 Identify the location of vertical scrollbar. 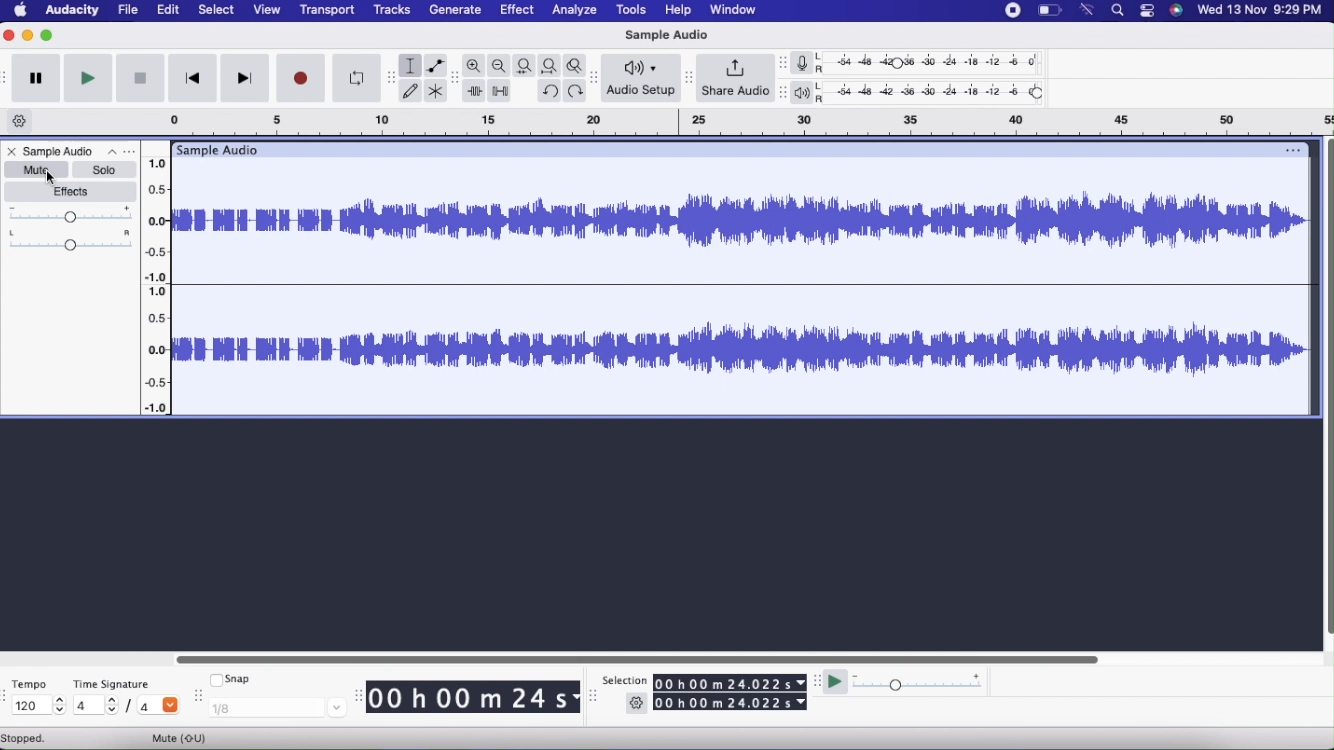
(1326, 395).